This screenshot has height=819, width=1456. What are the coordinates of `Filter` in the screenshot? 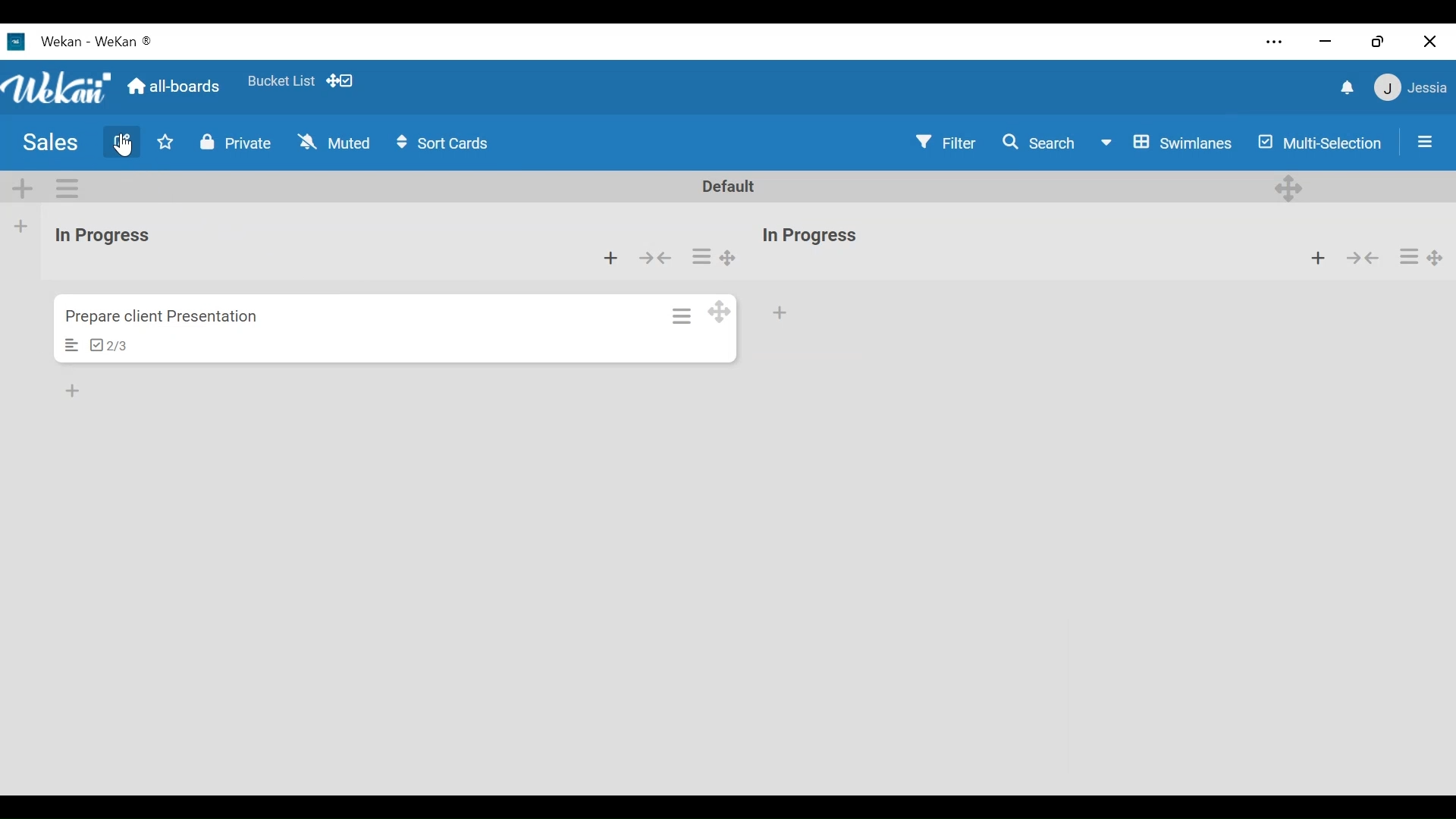 It's located at (945, 142).